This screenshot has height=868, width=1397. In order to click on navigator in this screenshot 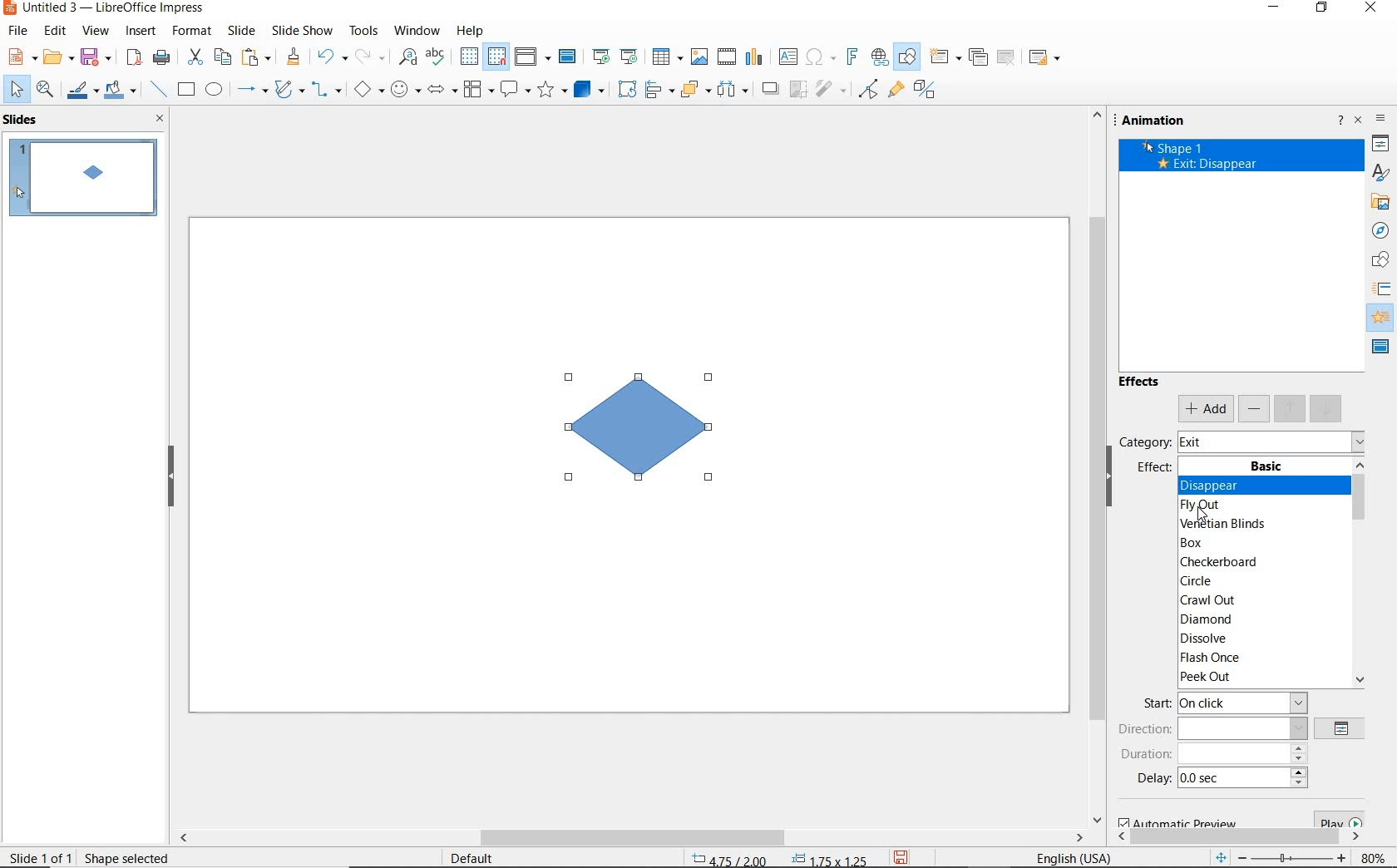, I will do `click(1381, 230)`.